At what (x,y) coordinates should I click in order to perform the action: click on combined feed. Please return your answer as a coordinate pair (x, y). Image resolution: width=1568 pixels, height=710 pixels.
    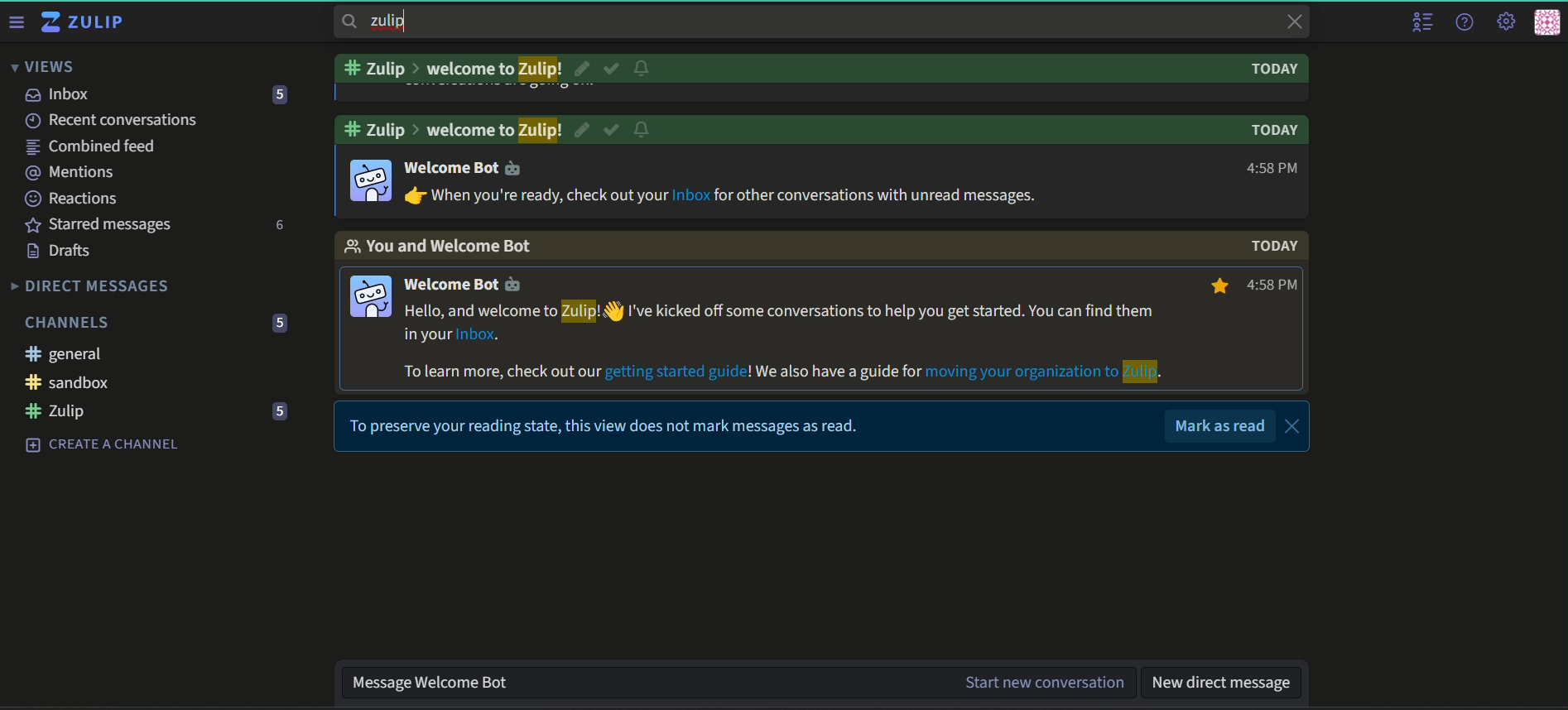
    Looking at the image, I should click on (90, 146).